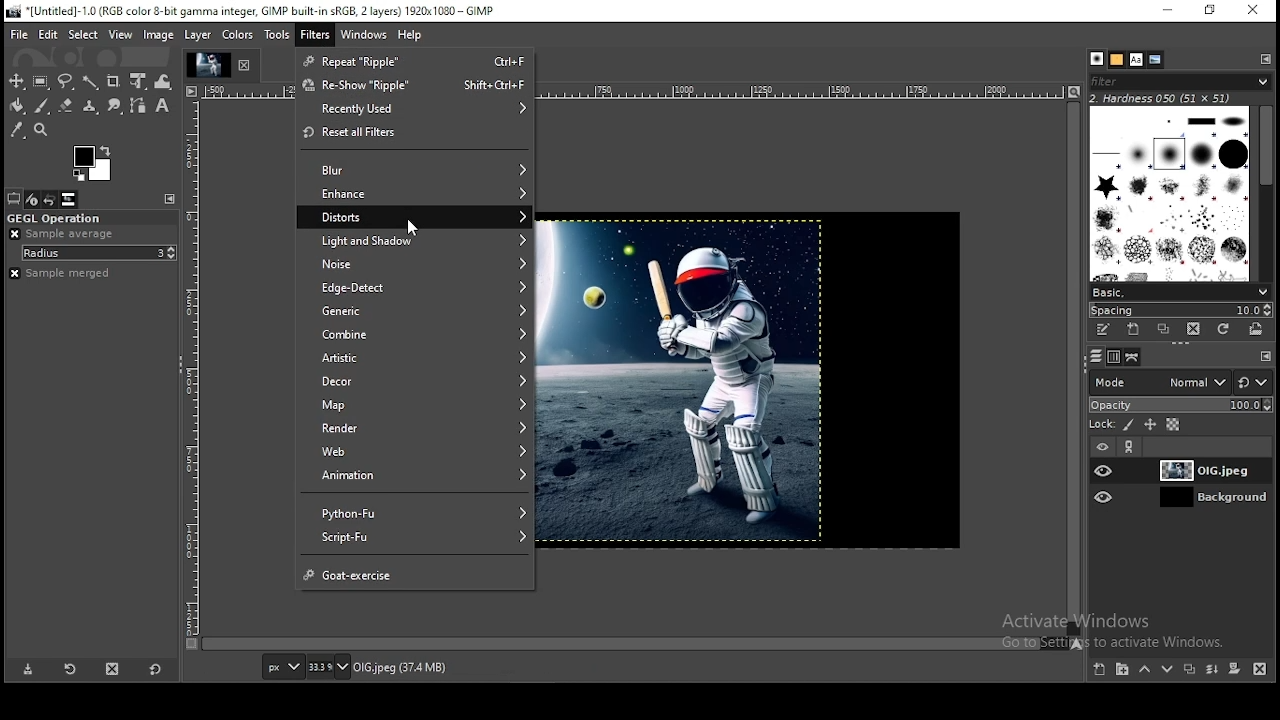 The width and height of the screenshot is (1280, 720). What do you see at coordinates (417, 380) in the screenshot?
I see `decor` at bounding box center [417, 380].